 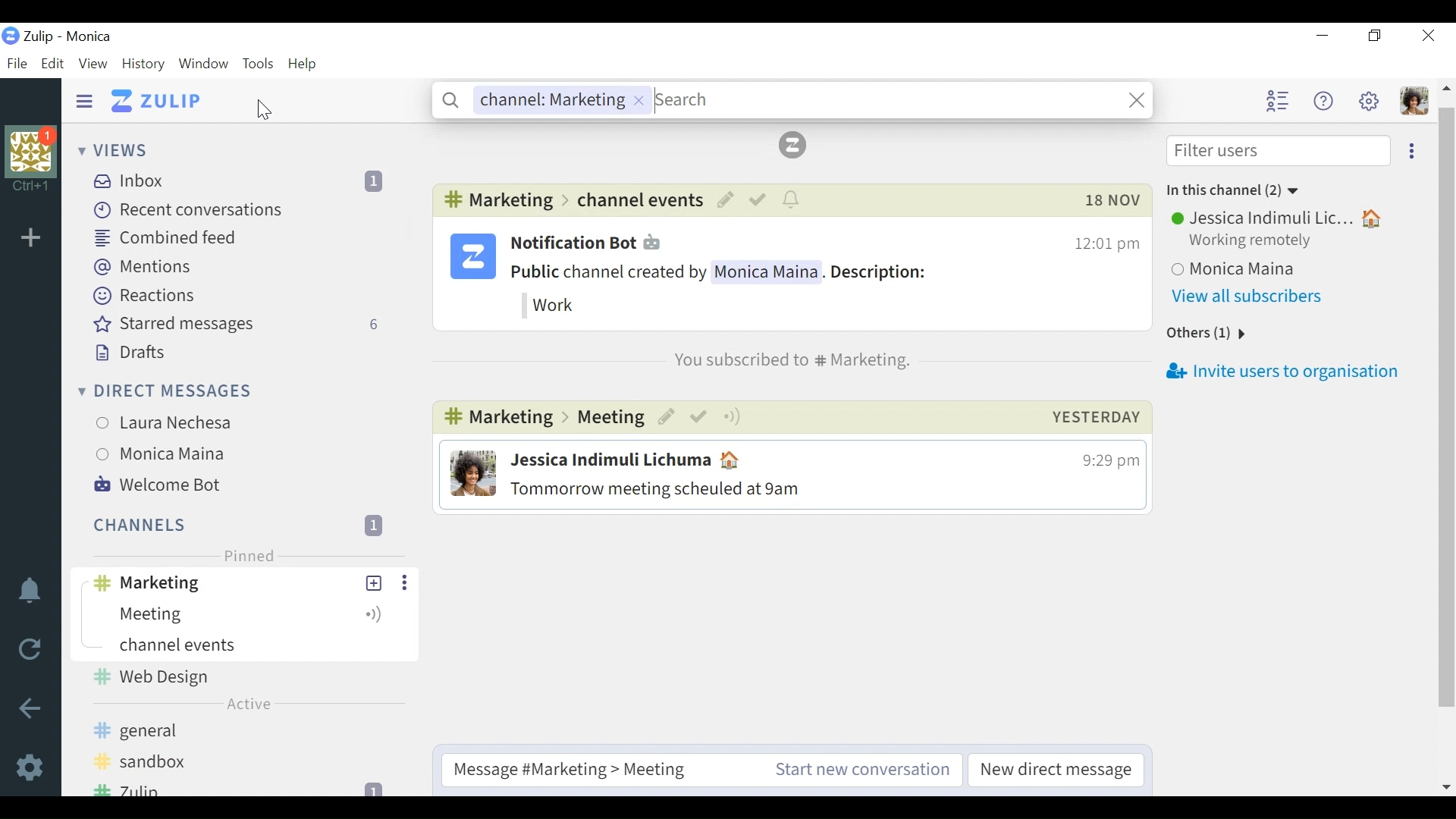 I want to click on Organisational Profile photo, so click(x=31, y=162).